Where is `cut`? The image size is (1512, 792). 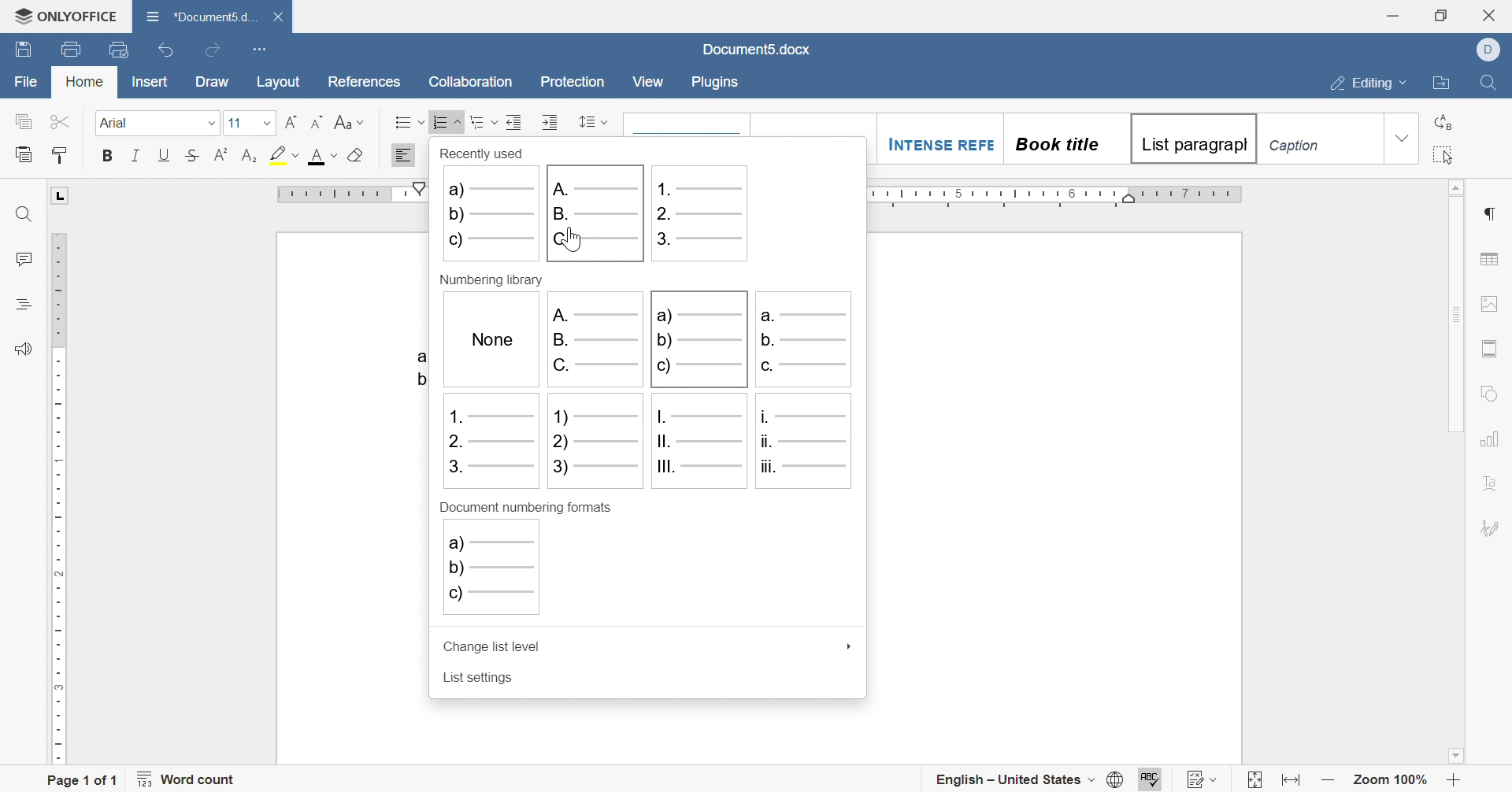 cut is located at coordinates (61, 122).